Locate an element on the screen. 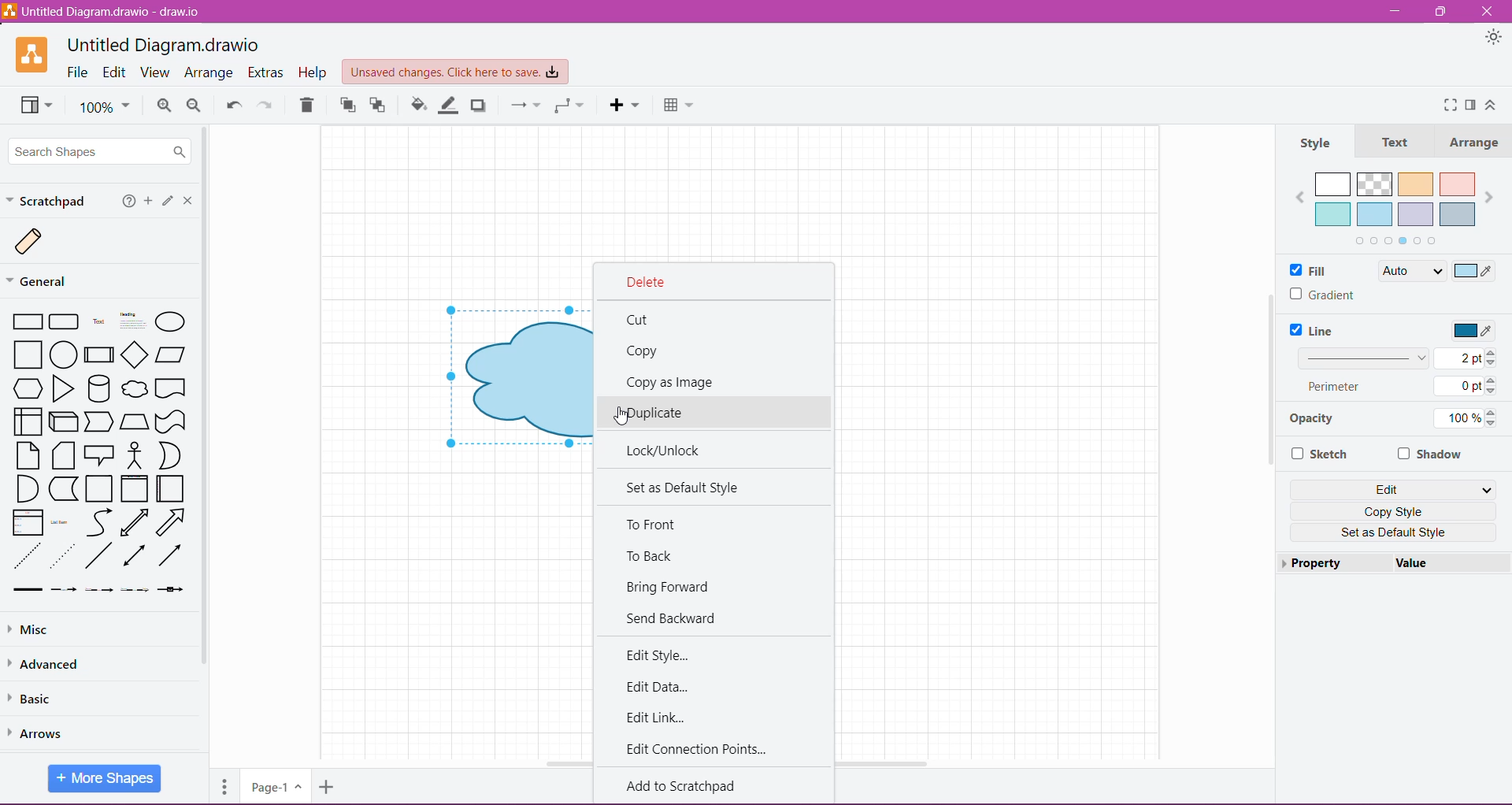 Image resolution: width=1512 pixels, height=805 pixels. Vertical Scroll Bar is located at coordinates (1269, 387).